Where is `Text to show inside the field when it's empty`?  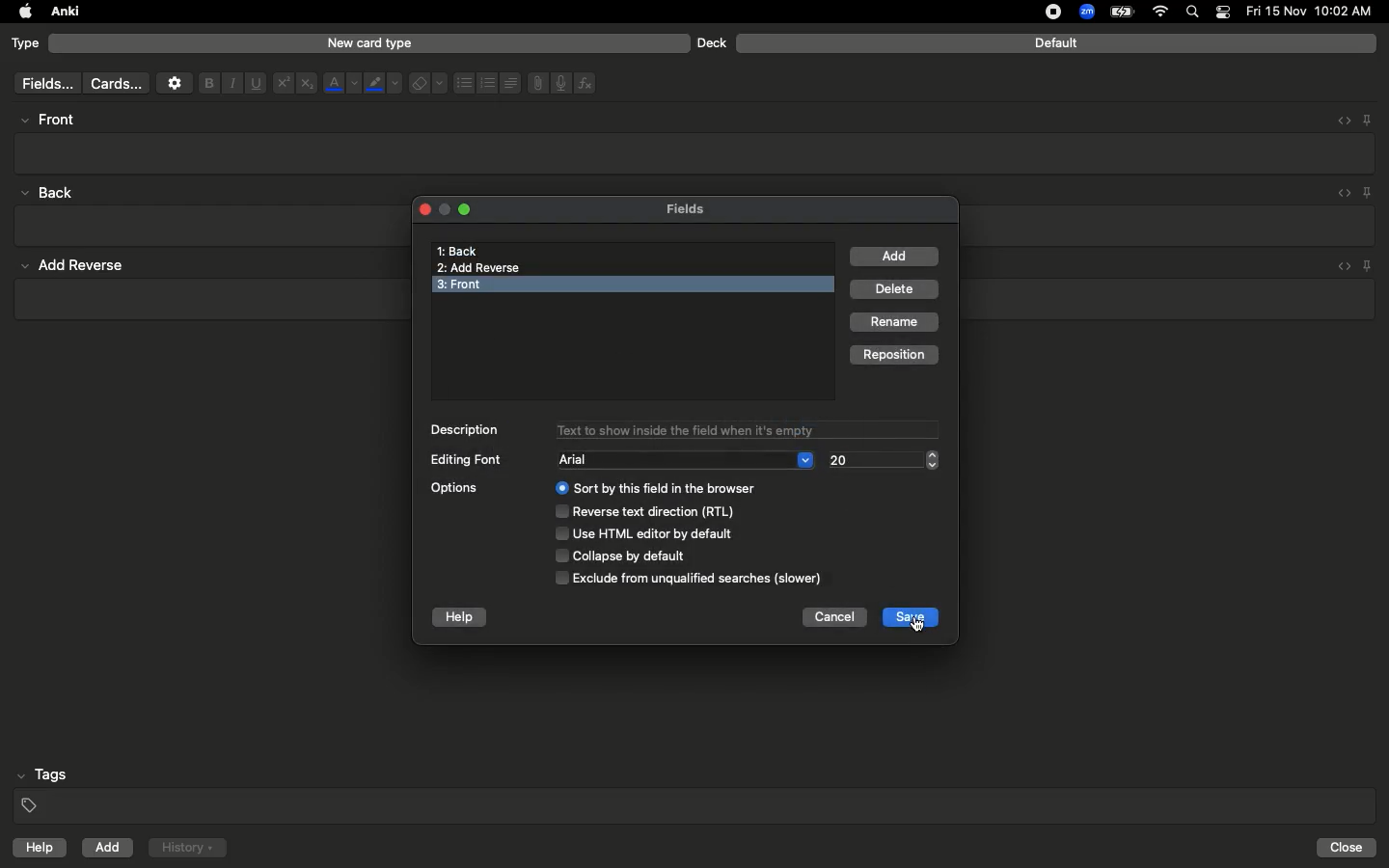
Text to show inside the field when it's empty is located at coordinates (745, 430).